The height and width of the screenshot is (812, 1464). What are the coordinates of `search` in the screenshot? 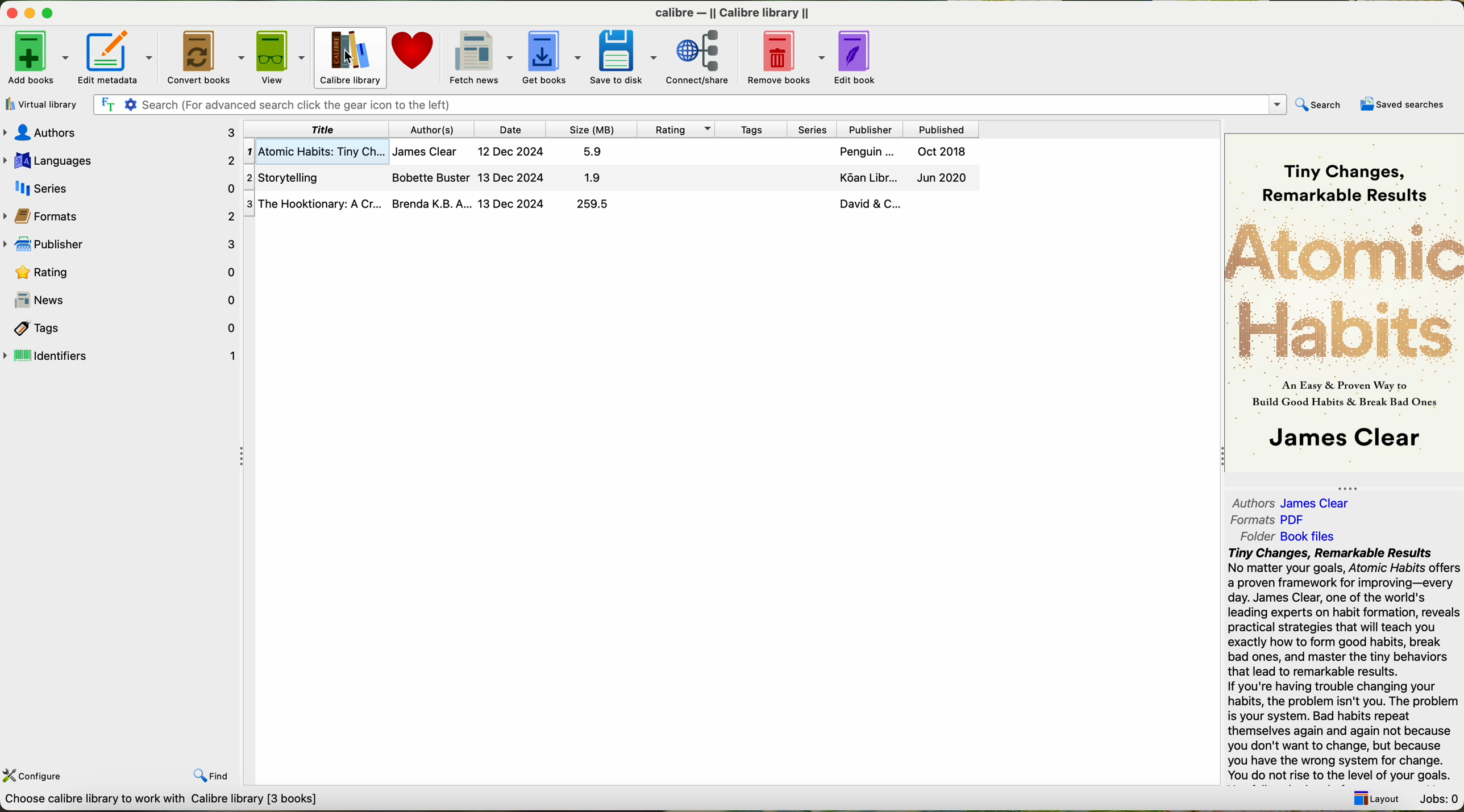 It's located at (1317, 106).